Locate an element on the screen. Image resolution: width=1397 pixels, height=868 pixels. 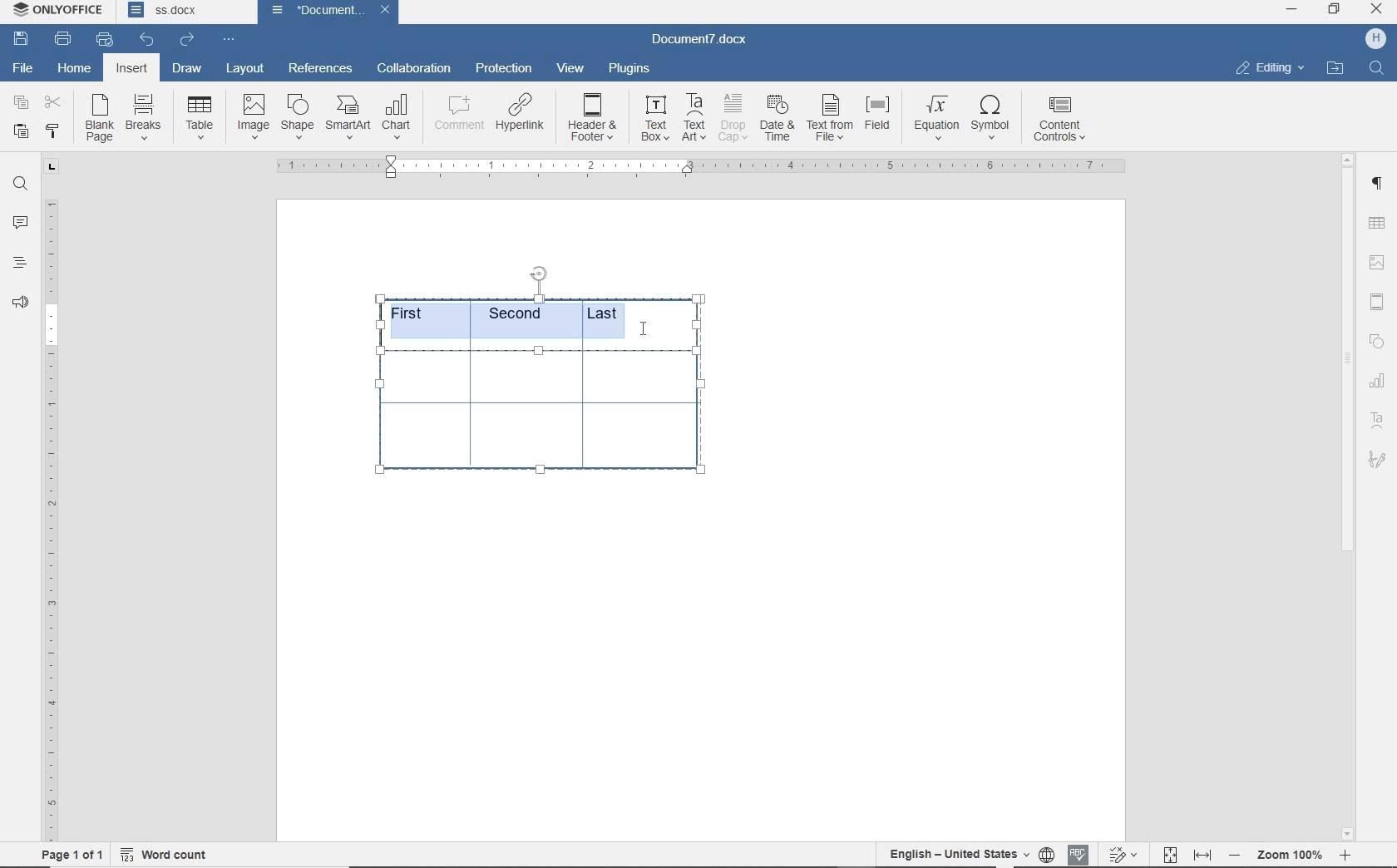
text from file is located at coordinates (830, 116).